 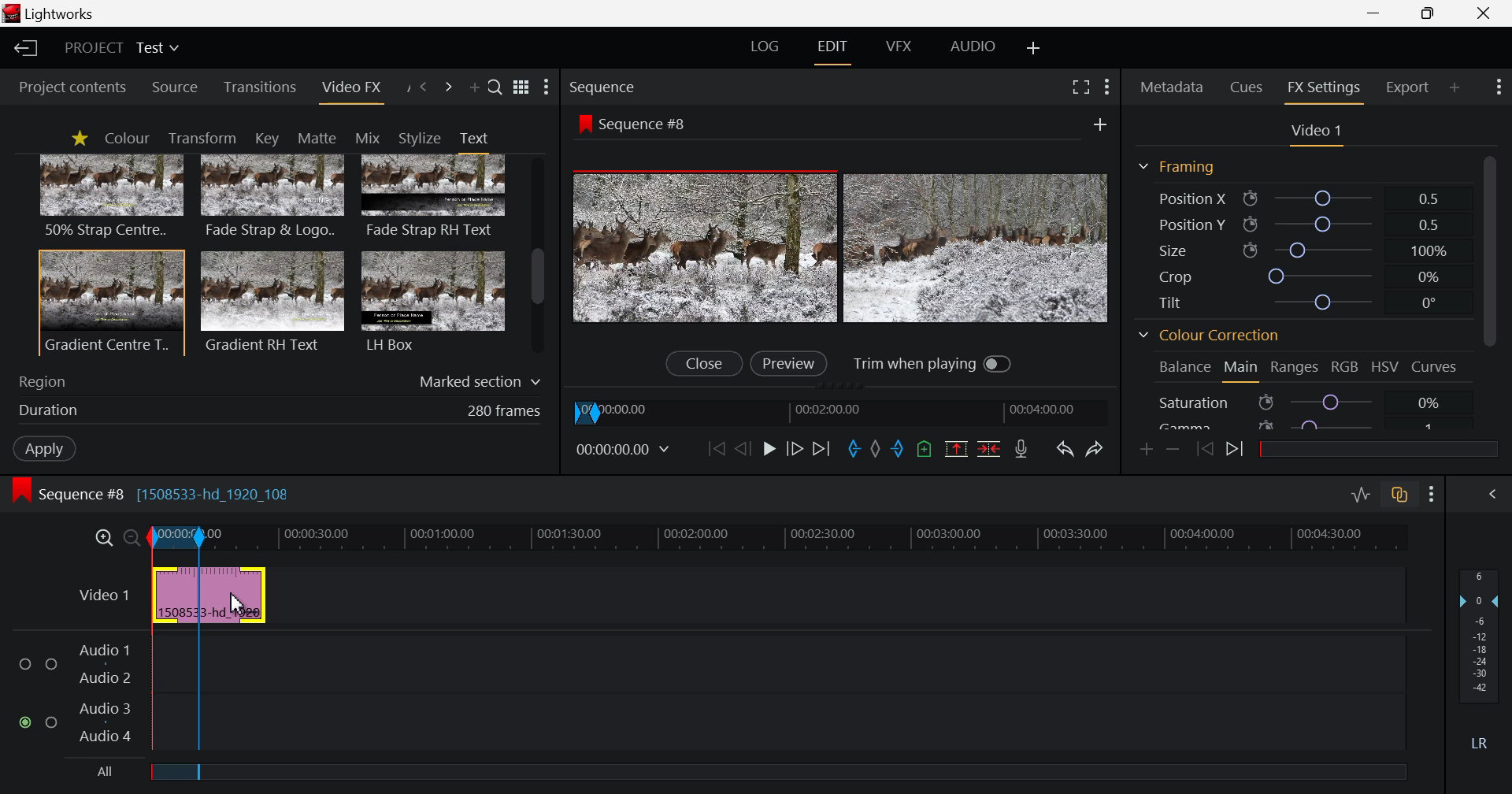 What do you see at coordinates (57, 14) in the screenshot?
I see `Lightworks` at bounding box center [57, 14].